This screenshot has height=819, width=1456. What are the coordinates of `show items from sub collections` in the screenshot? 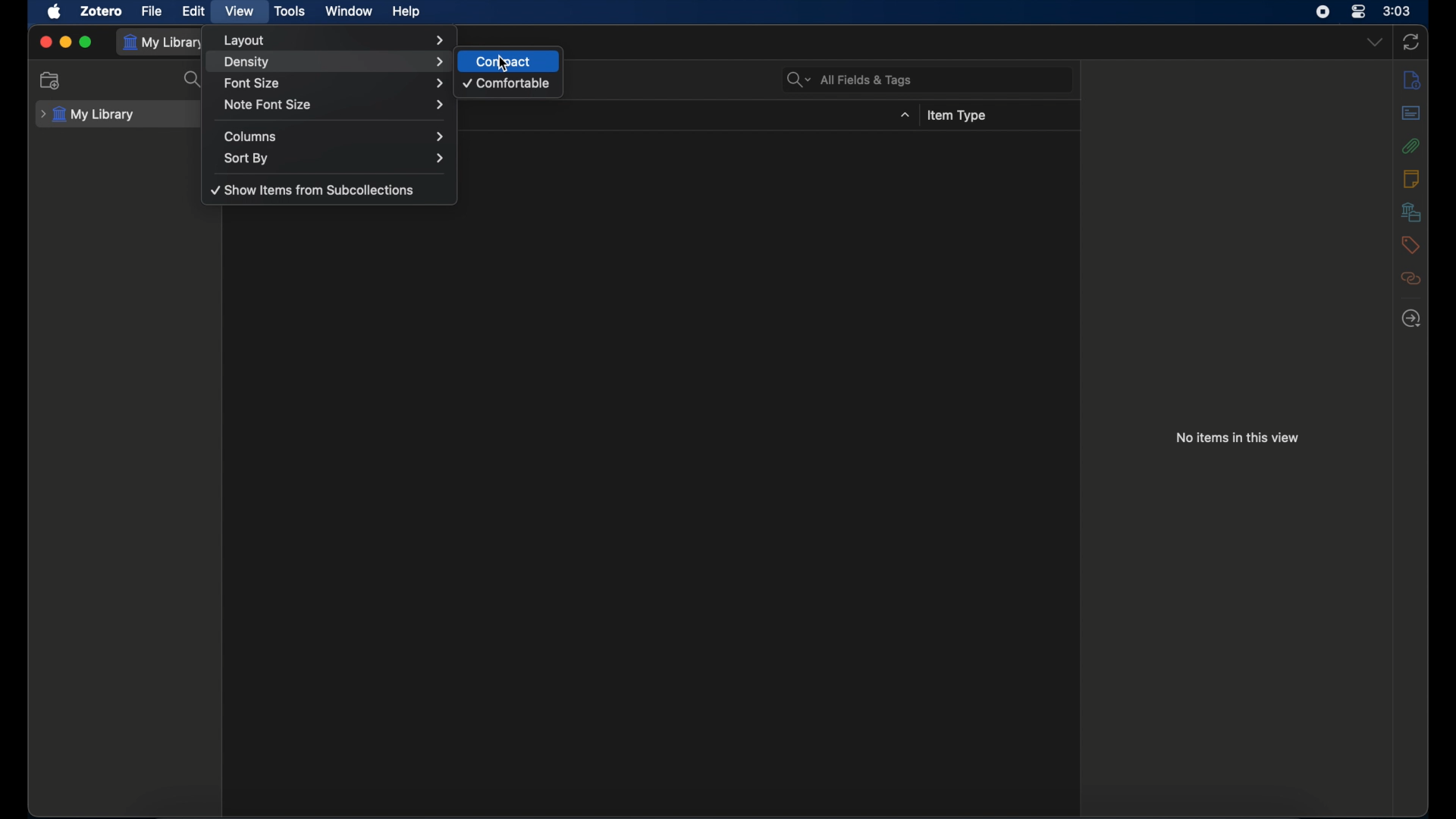 It's located at (313, 190).